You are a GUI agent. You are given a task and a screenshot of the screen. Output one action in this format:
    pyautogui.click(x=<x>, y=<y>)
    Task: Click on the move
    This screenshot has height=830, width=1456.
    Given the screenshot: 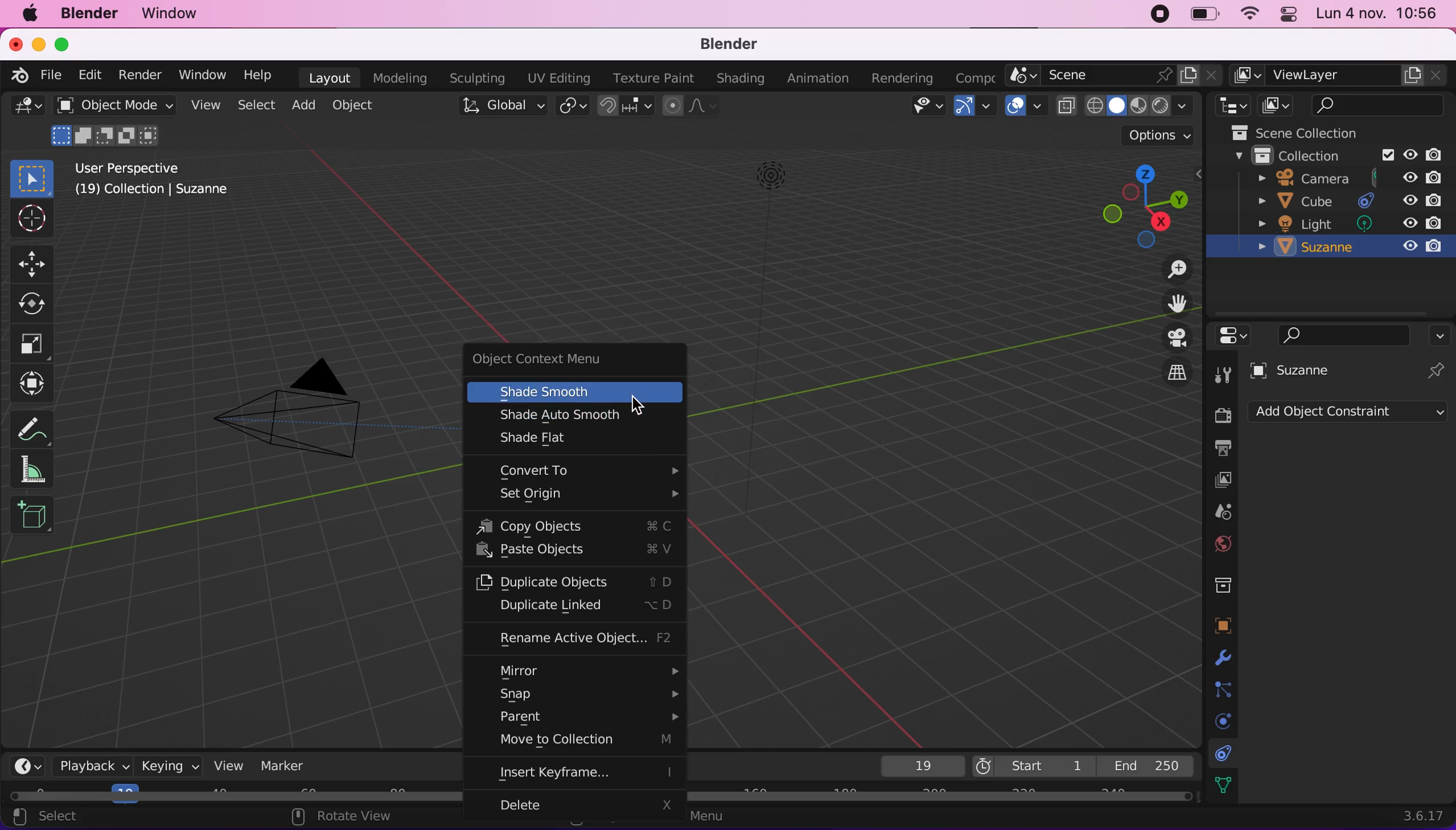 What is the action you would take?
    pyautogui.click(x=32, y=262)
    